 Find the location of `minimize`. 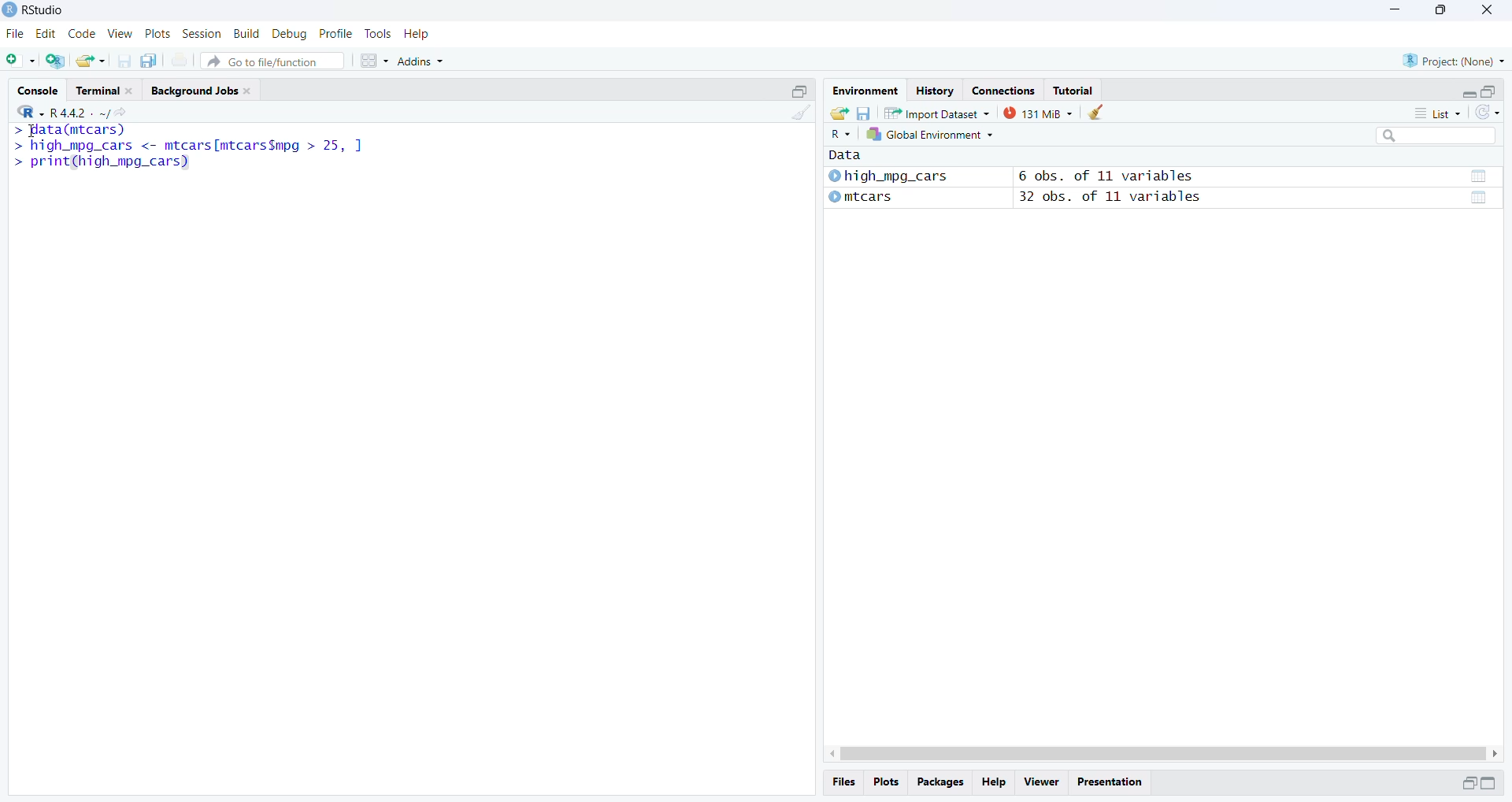

minimize is located at coordinates (1488, 783).